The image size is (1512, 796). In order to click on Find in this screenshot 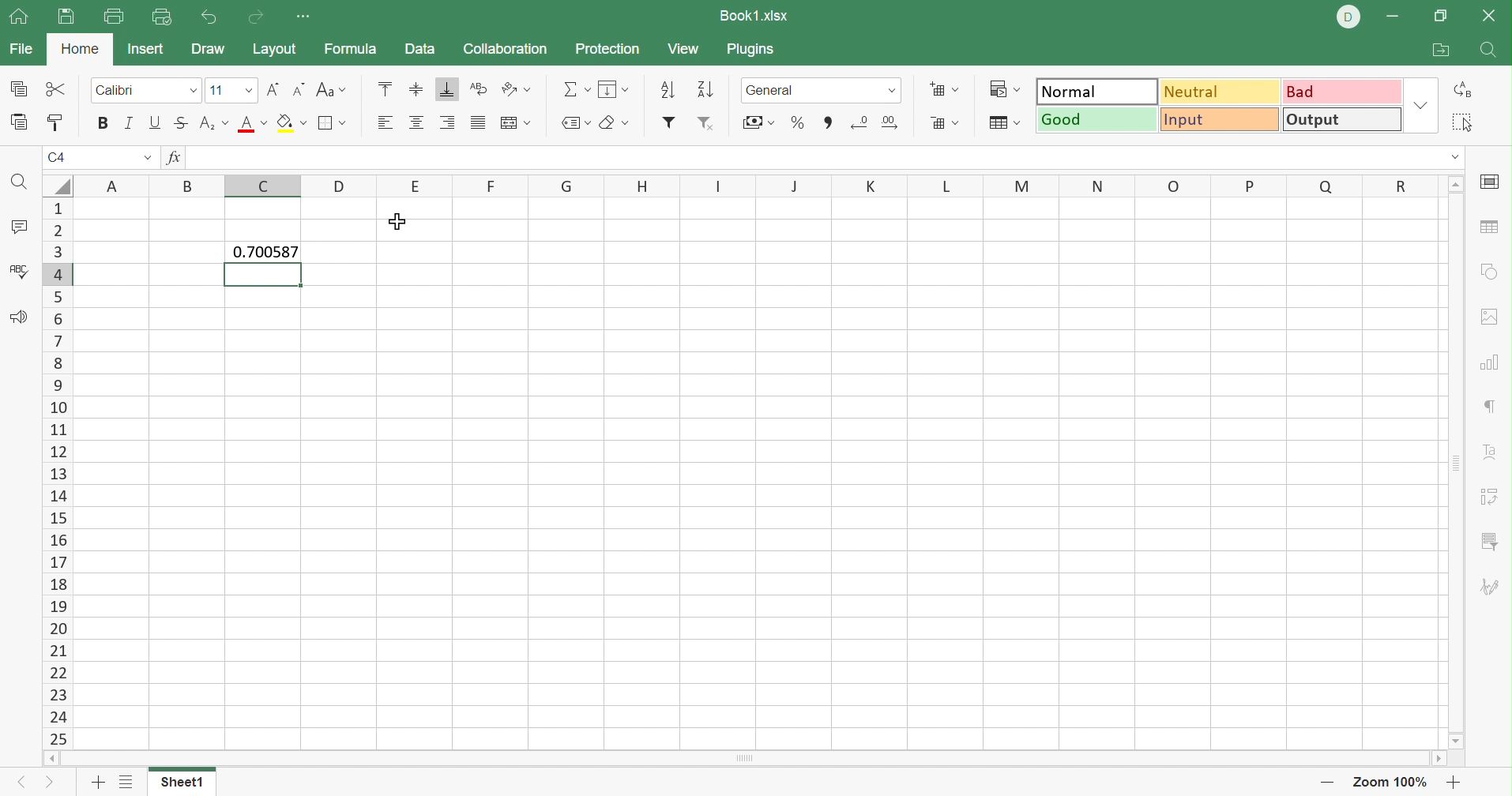, I will do `click(22, 186)`.